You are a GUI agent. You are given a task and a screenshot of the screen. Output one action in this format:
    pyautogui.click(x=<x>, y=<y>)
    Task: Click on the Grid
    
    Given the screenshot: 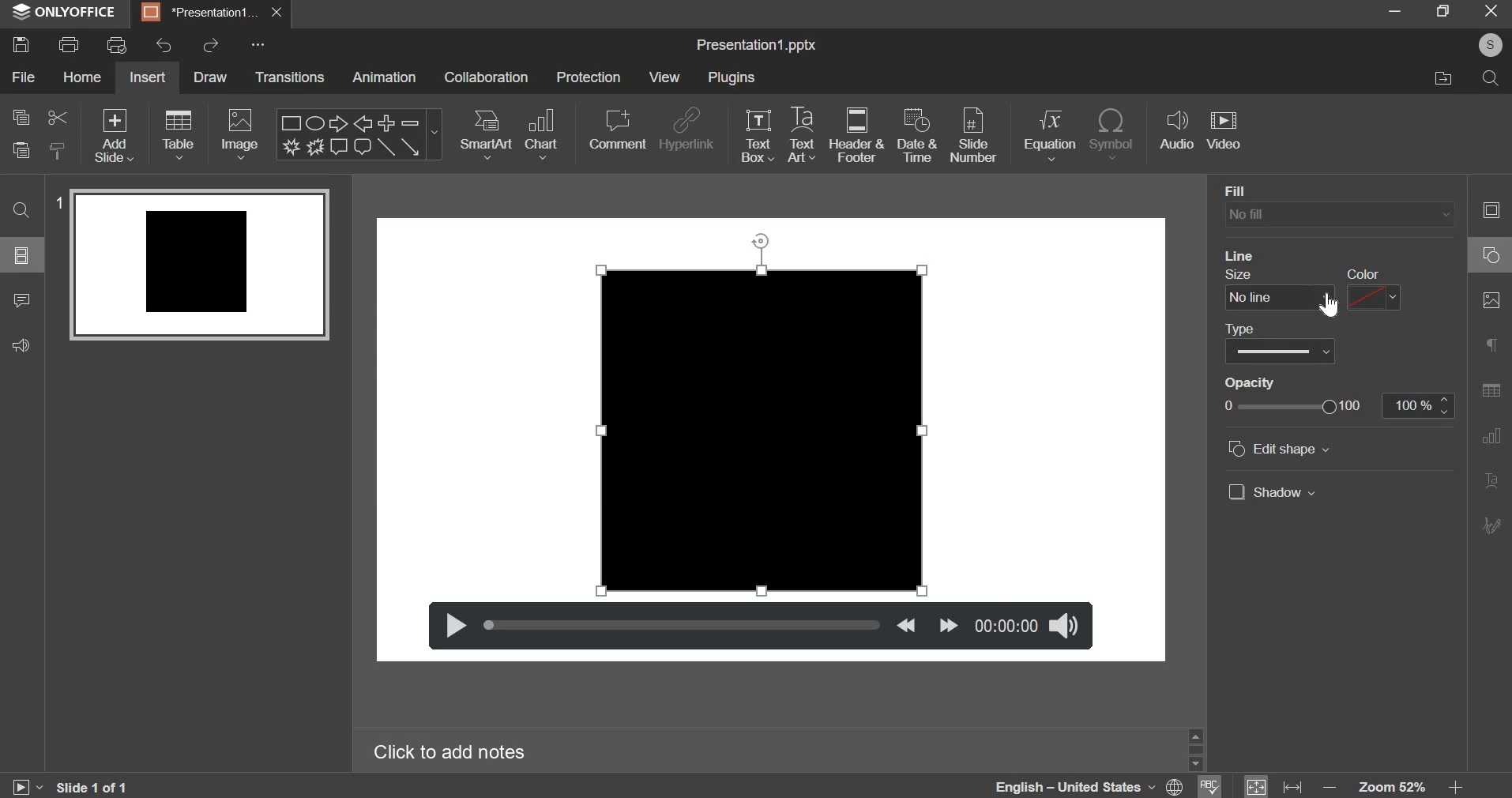 What is the action you would take?
    pyautogui.click(x=1491, y=392)
    